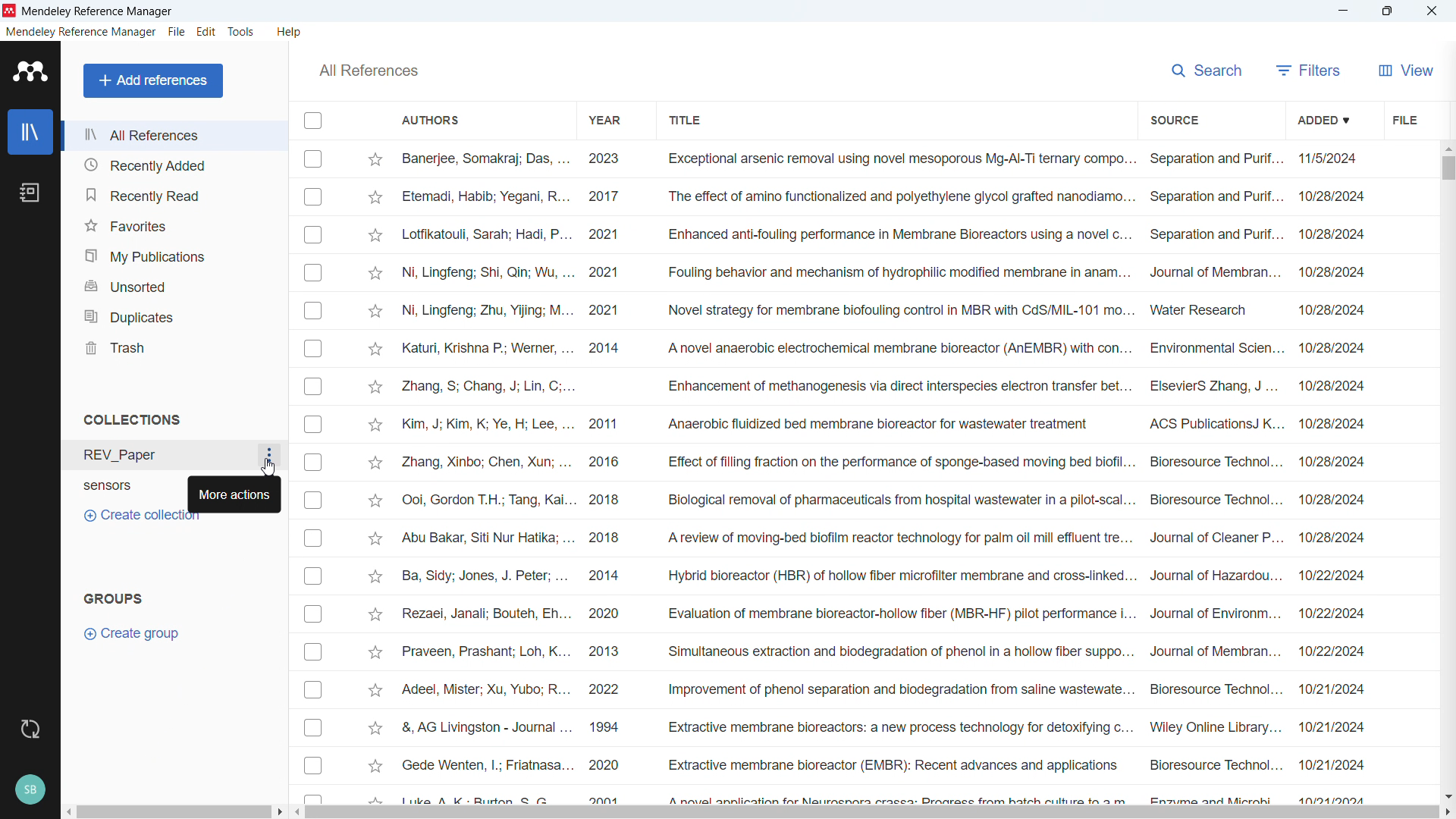  I want to click on Horizontal scrollbar , so click(873, 813).